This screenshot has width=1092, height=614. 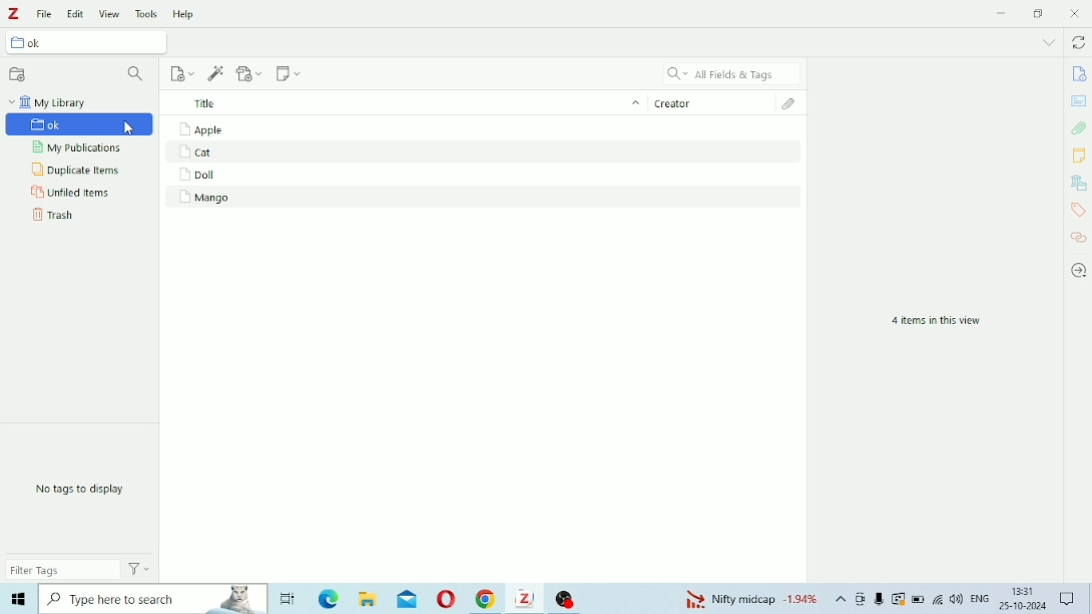 I want to click on Duplicate Items, so click(x=76, y=170).